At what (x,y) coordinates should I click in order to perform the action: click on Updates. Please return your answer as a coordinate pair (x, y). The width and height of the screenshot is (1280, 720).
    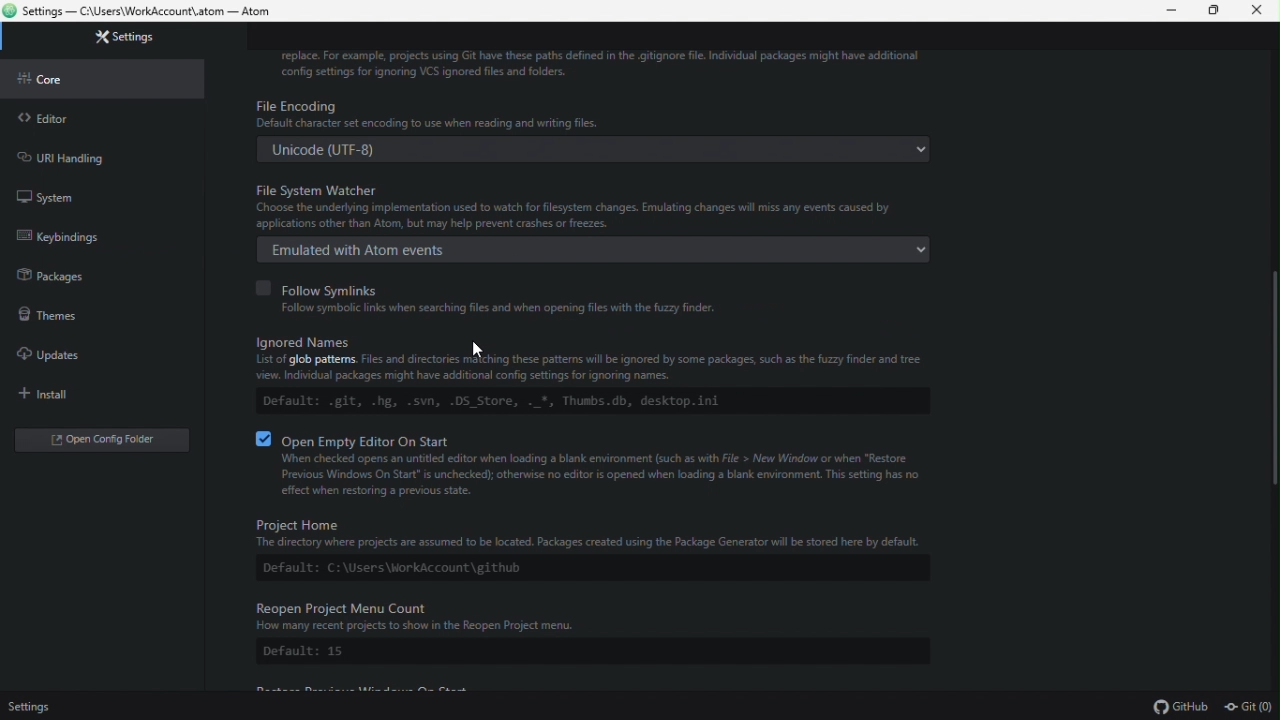
    Looking at the image, I should click on (92, 354).